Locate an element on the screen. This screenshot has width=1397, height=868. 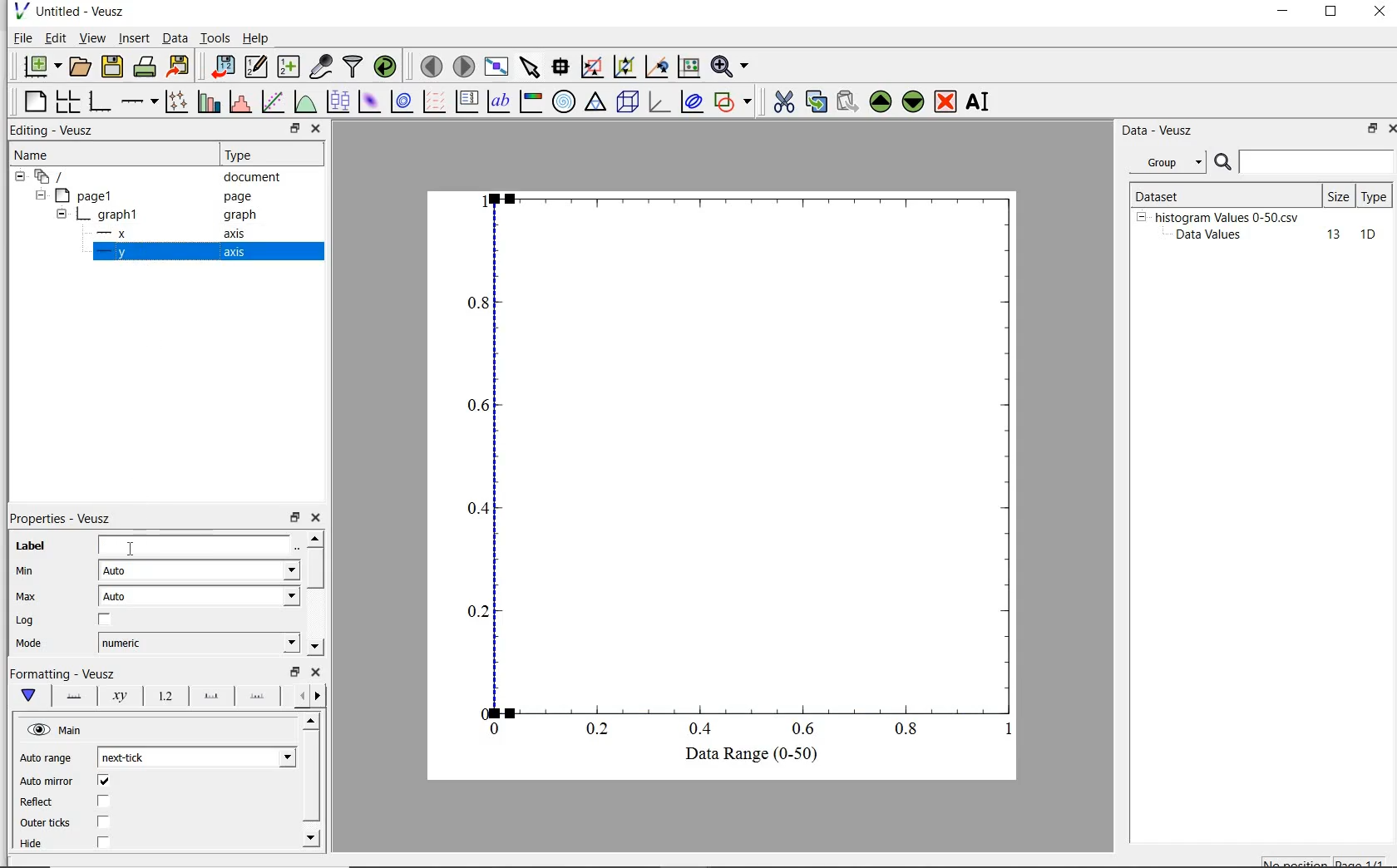
hide is located at coordinates (57, 730).